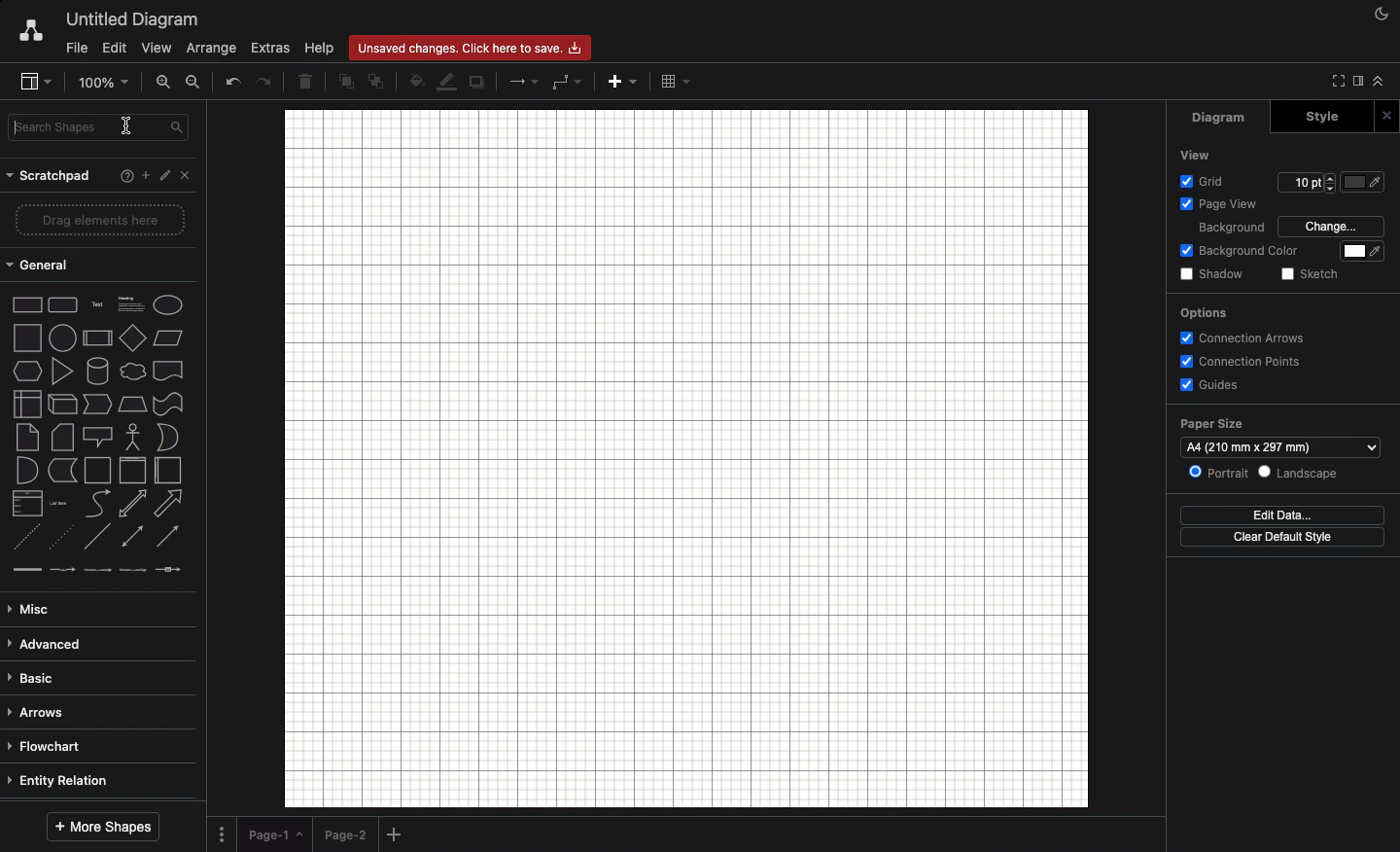  Describe the element at coordinates (1379, 81) in the screenshot. I see `Collapse` at that location.